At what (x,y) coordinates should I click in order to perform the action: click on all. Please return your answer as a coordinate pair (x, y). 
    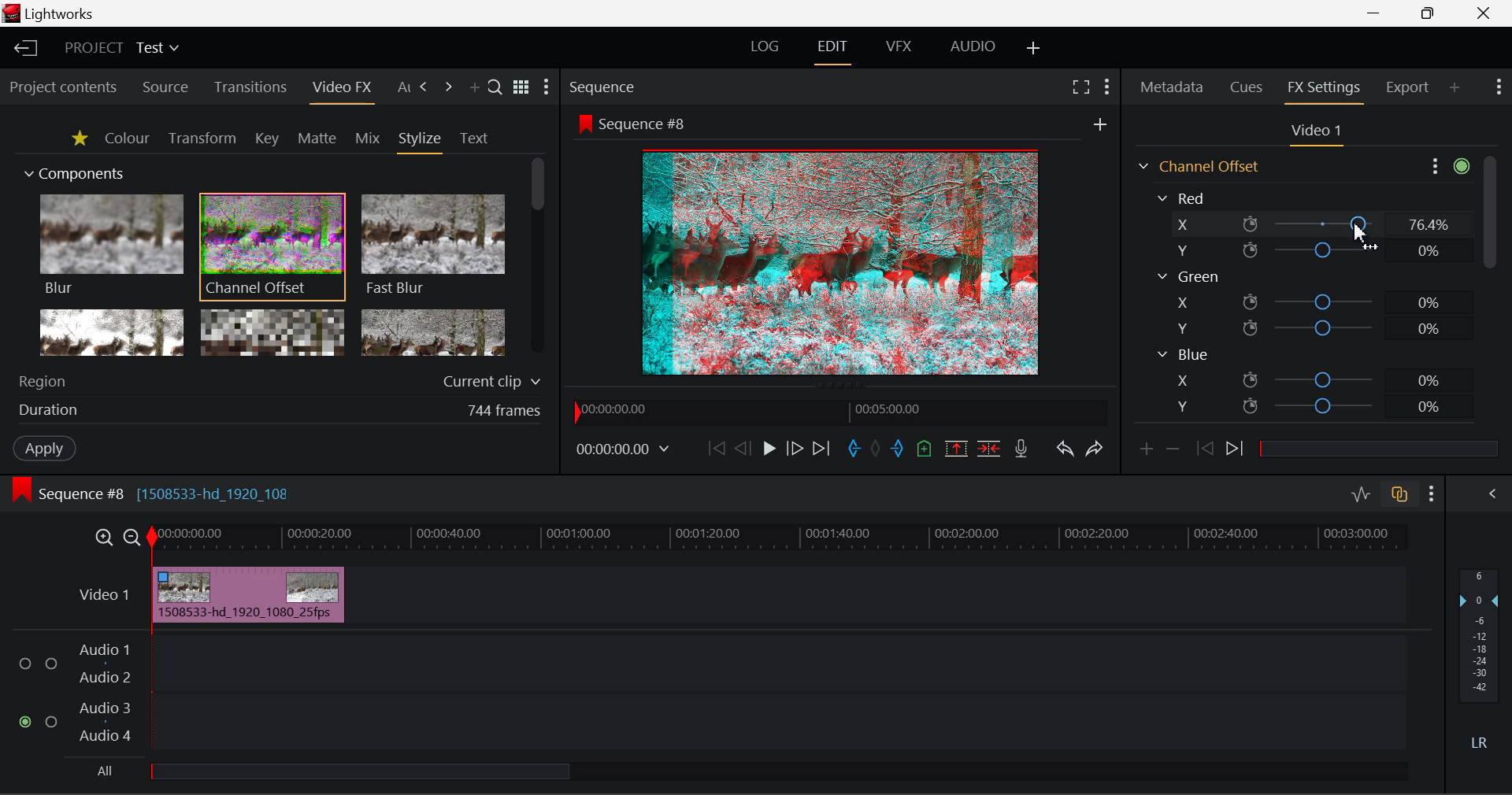
    Looking at the image, I should click on (326, 771).